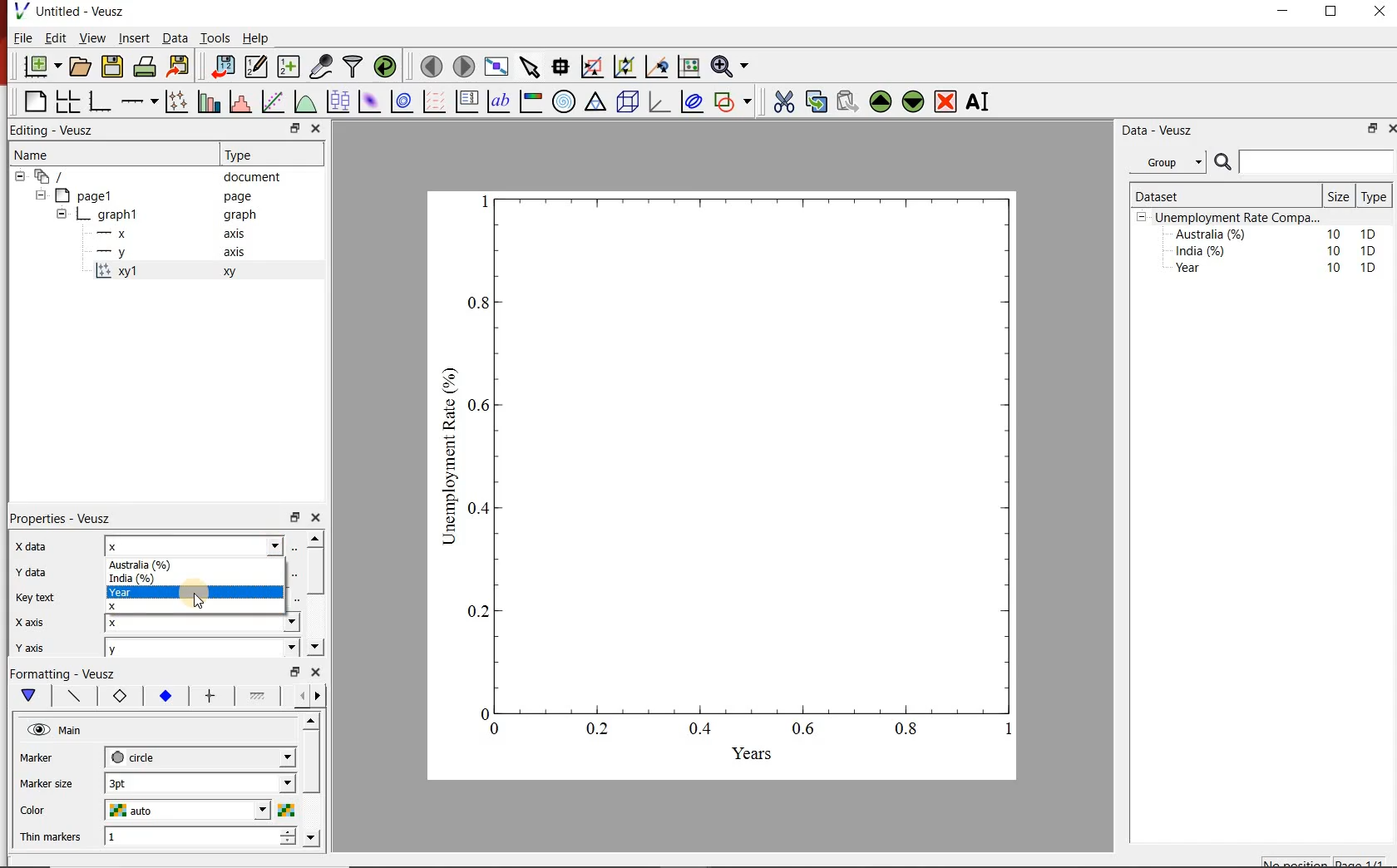 This screenshot has height=868, width=1397. What do you see at coordinates (1392, 127) in the screenshot?
I see `close` at bounding box center [1392, 127].